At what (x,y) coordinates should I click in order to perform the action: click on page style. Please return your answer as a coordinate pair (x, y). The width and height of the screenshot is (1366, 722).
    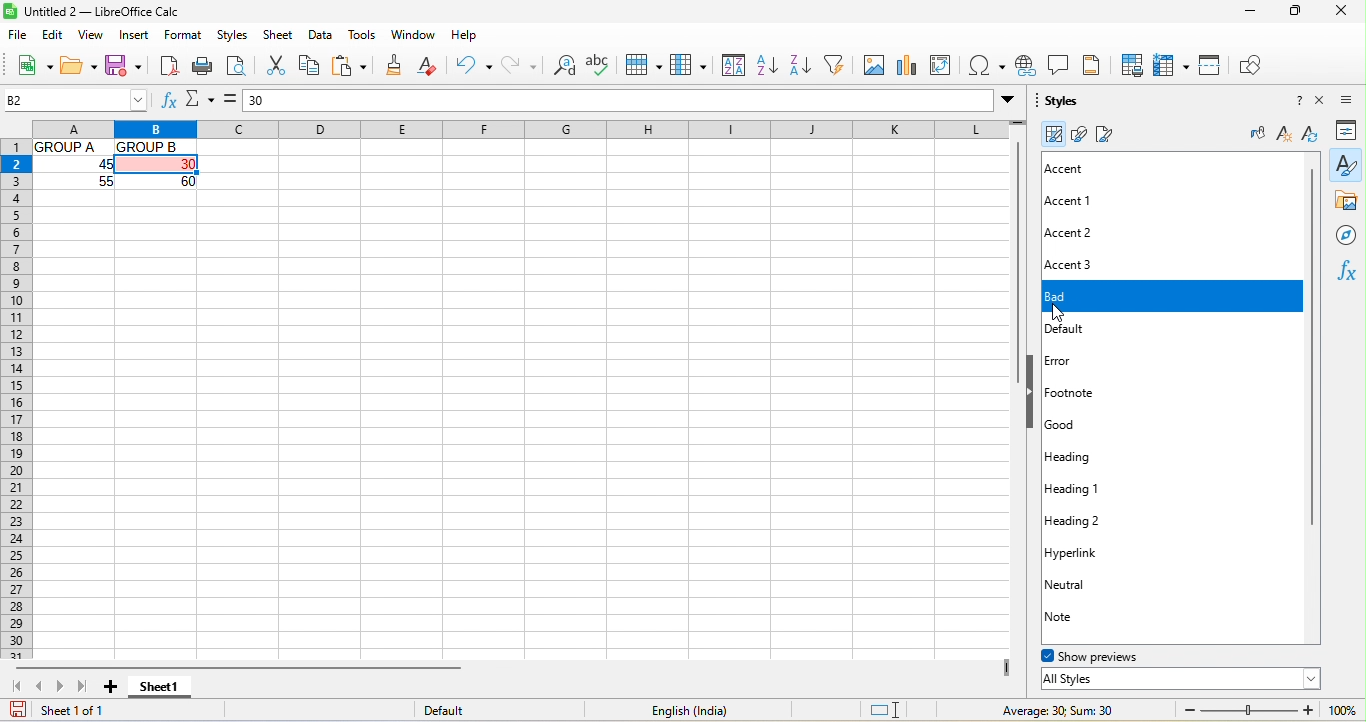
    Looking at the image, I should click on (1113, 134).